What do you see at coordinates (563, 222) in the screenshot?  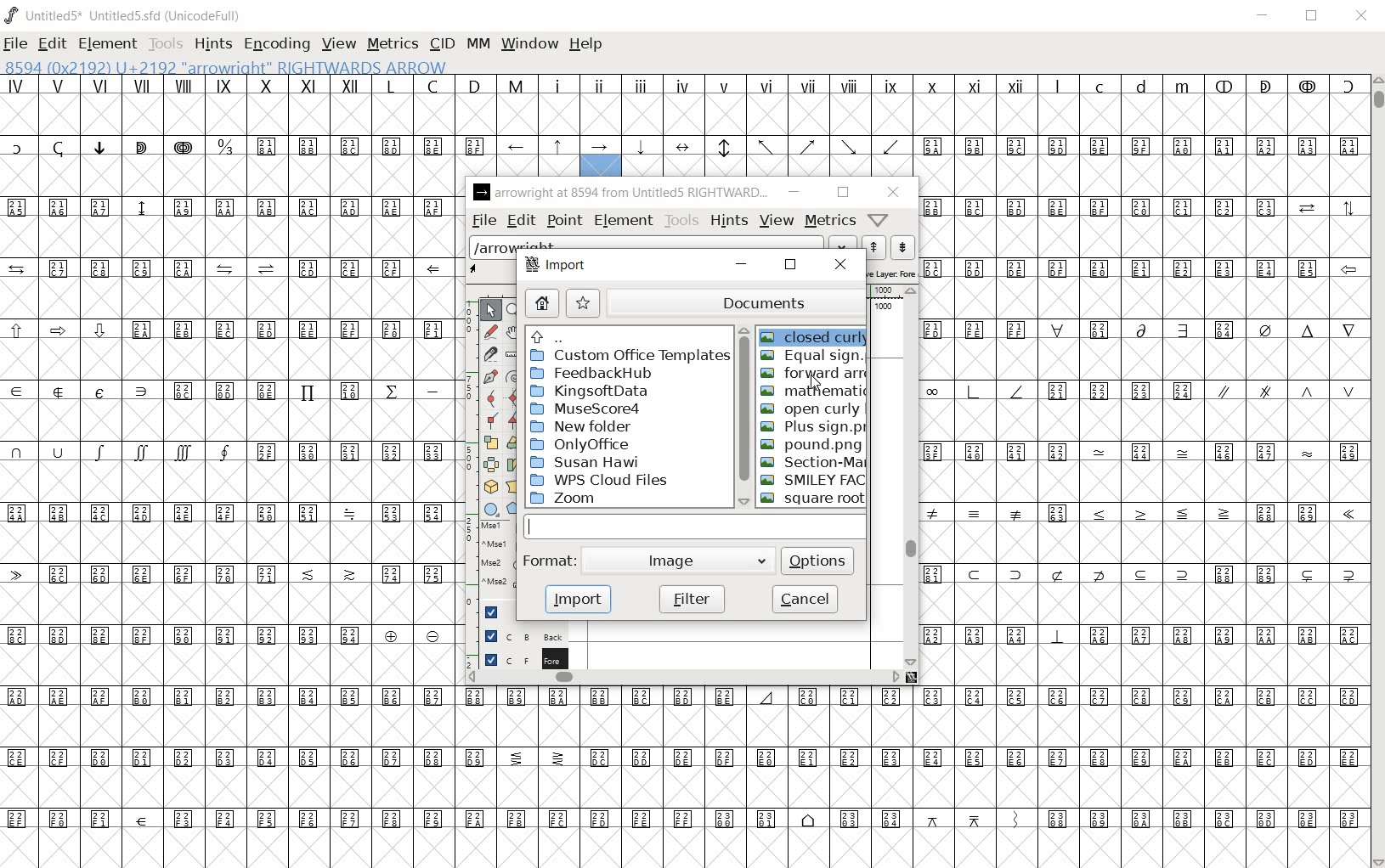 I see `point` at bounding box center [563, 222].